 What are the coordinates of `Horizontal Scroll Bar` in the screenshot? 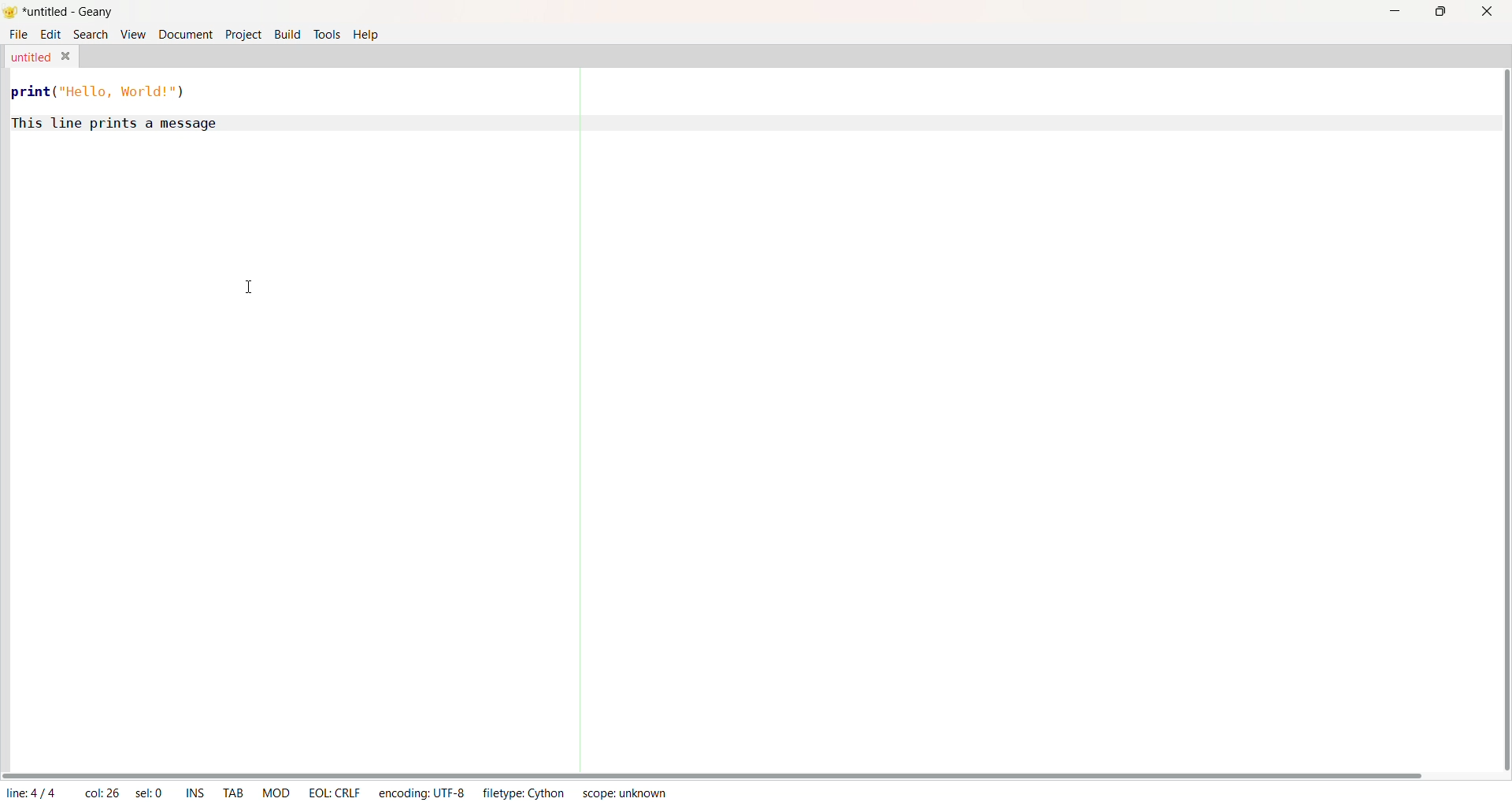 It's located at (713, 772).